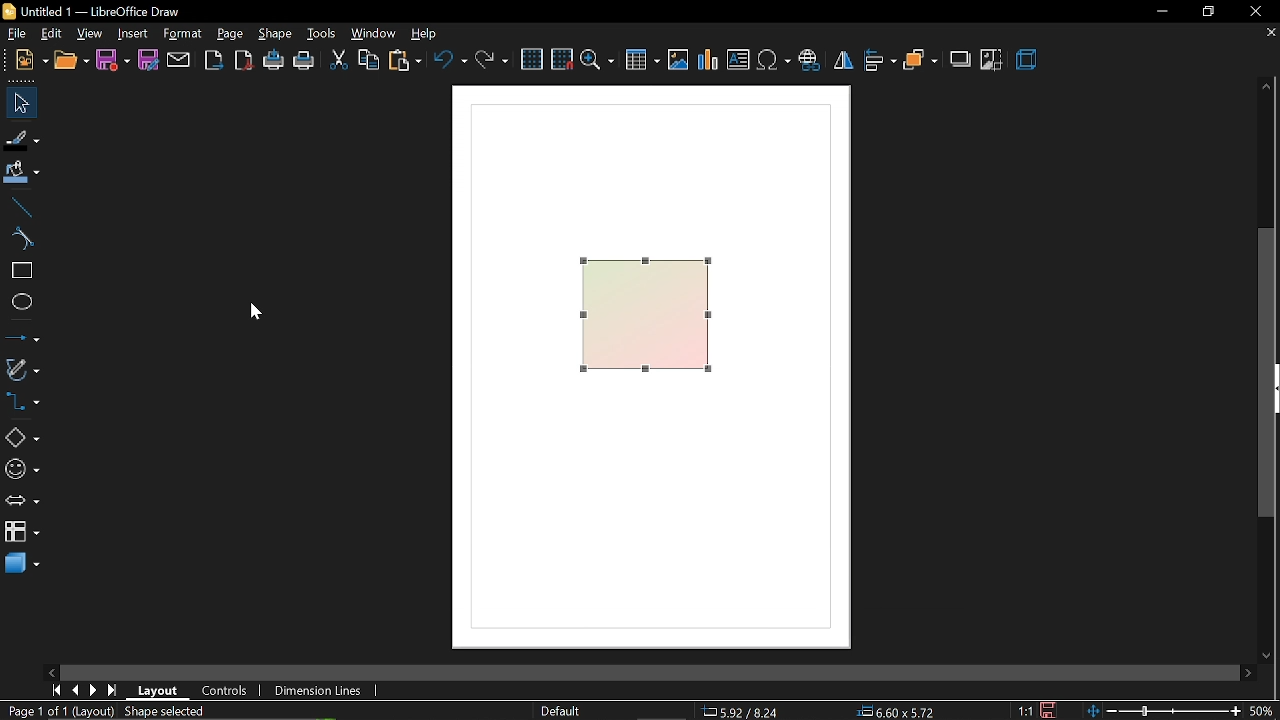 This screenshot has height=720, width=1280. I want to click on copy, so click(370, 61).